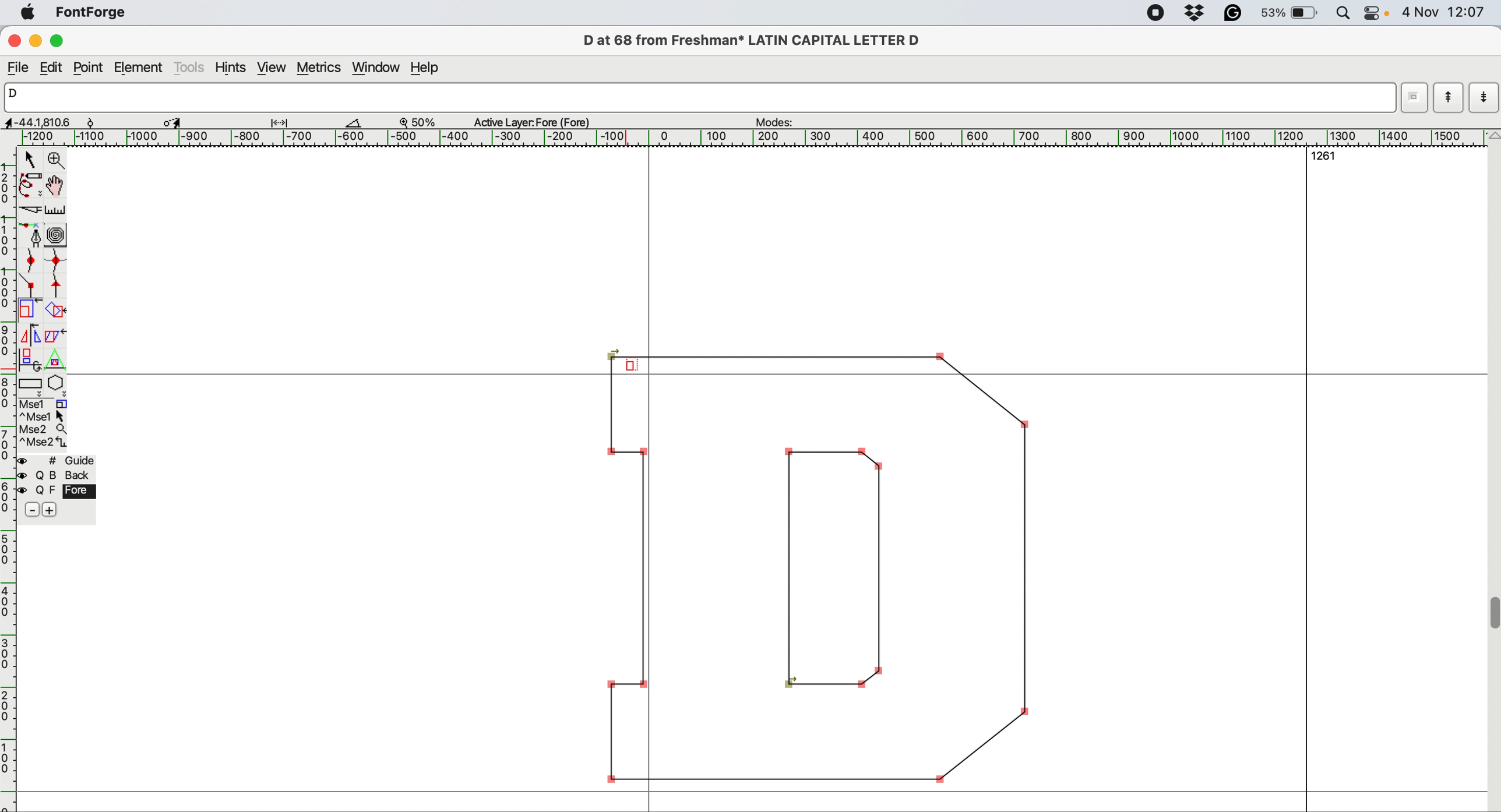 This screenshot has height=812, width=1501. I want to click on spotlight search, so click(1343, 13).